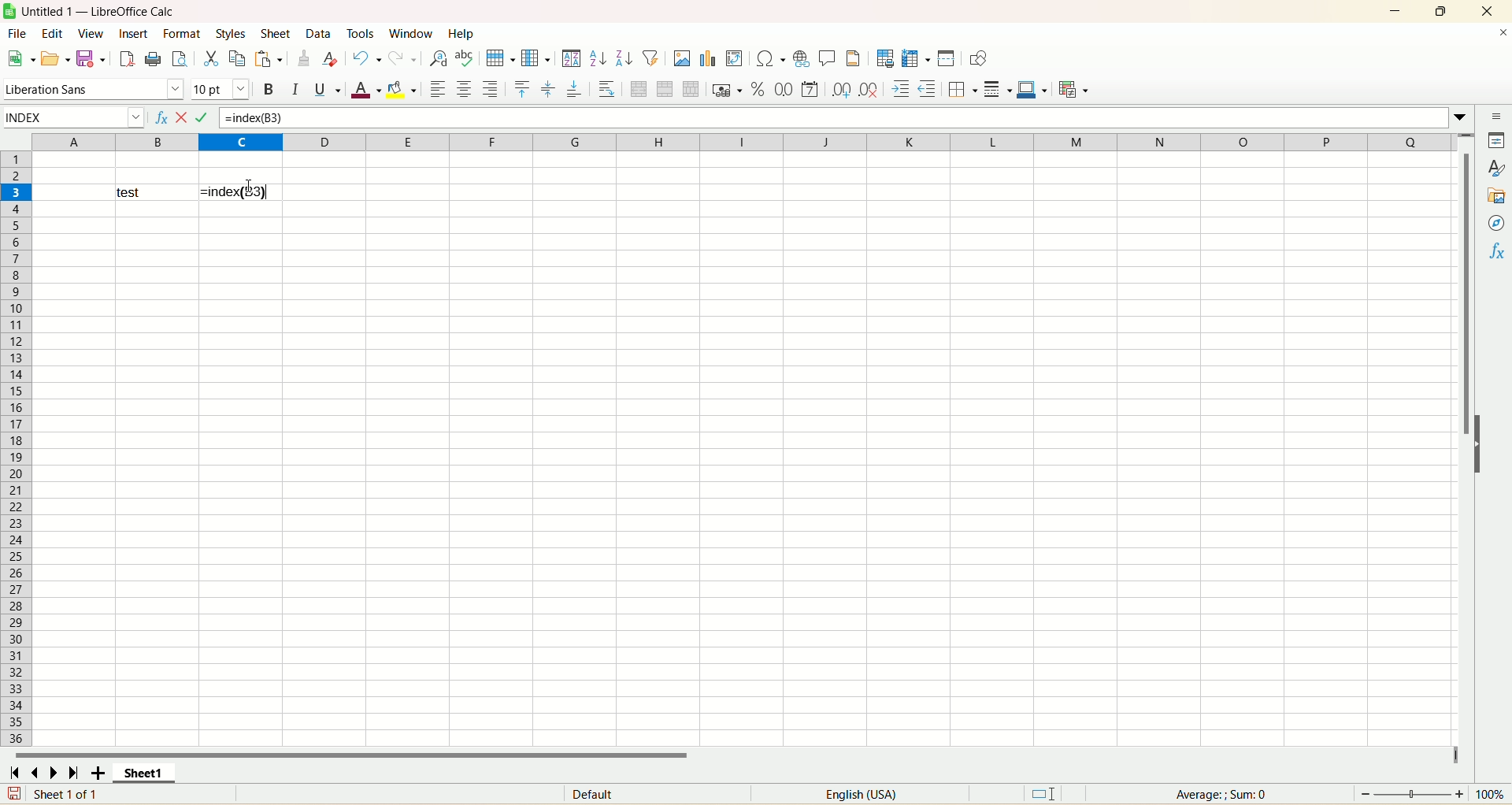 This screenshot has width=1512, height=805. What do you see at coordinates (461, 33) in the screenshot?
I see `help` at bounding box center [461, 33].